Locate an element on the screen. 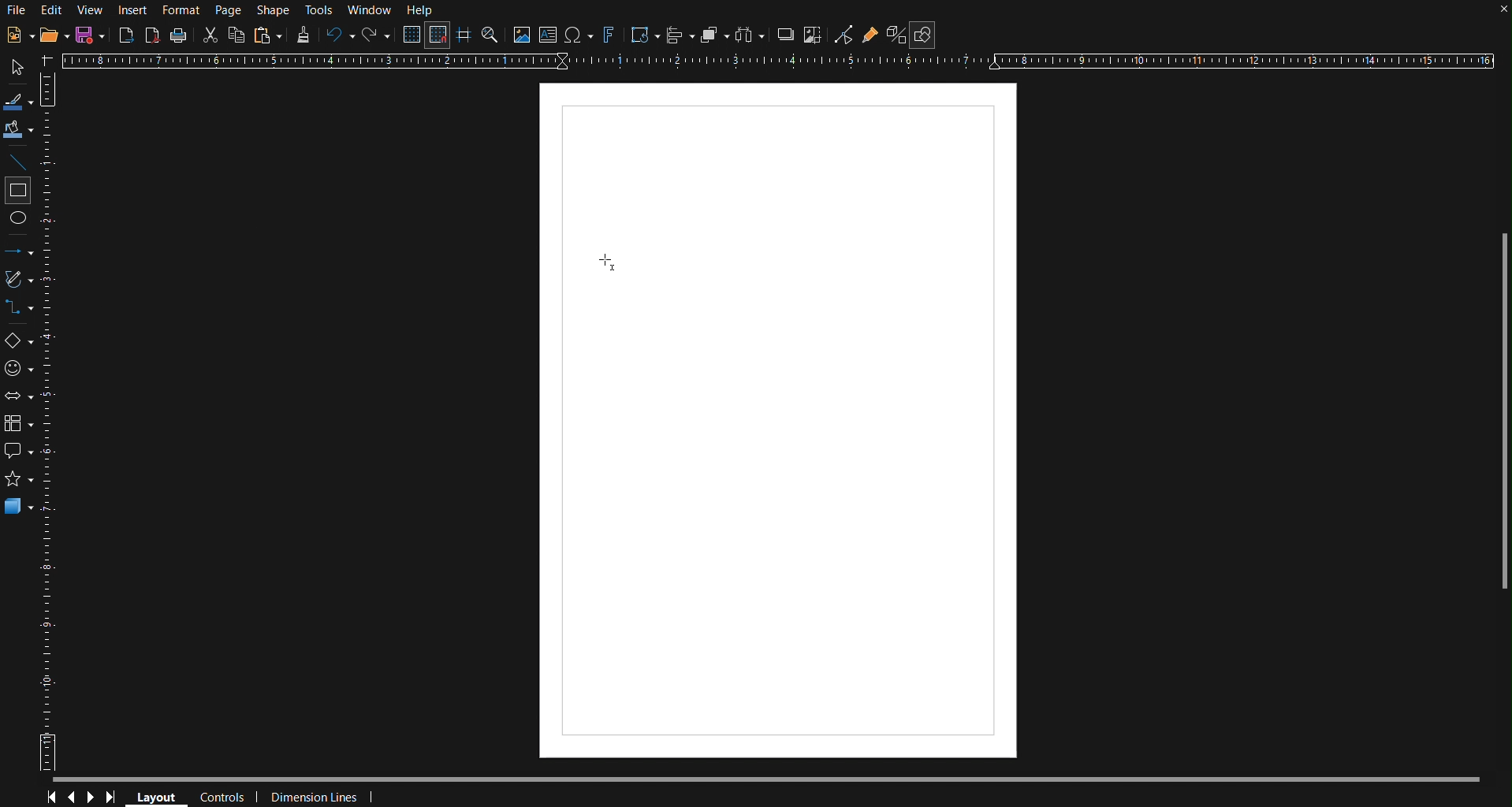  Insert Image is located at coordinates (520, 34).